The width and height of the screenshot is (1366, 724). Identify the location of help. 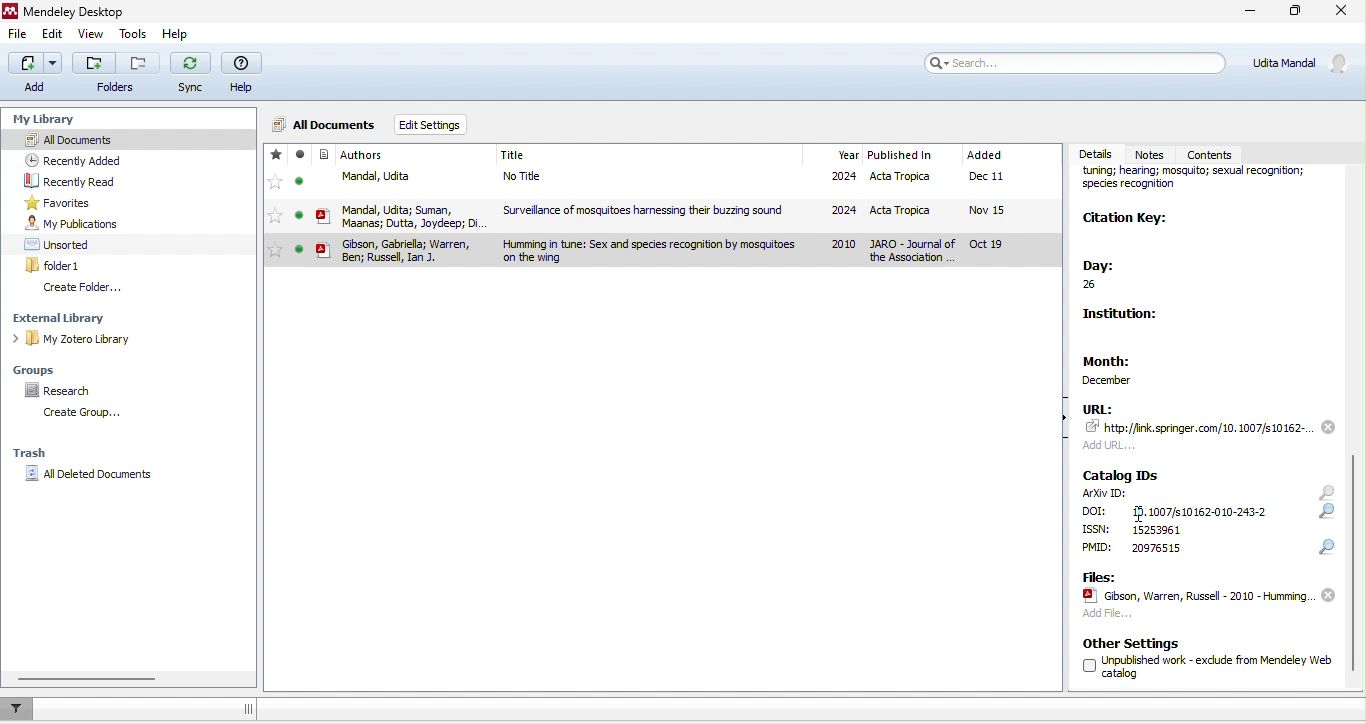
(179, 37).